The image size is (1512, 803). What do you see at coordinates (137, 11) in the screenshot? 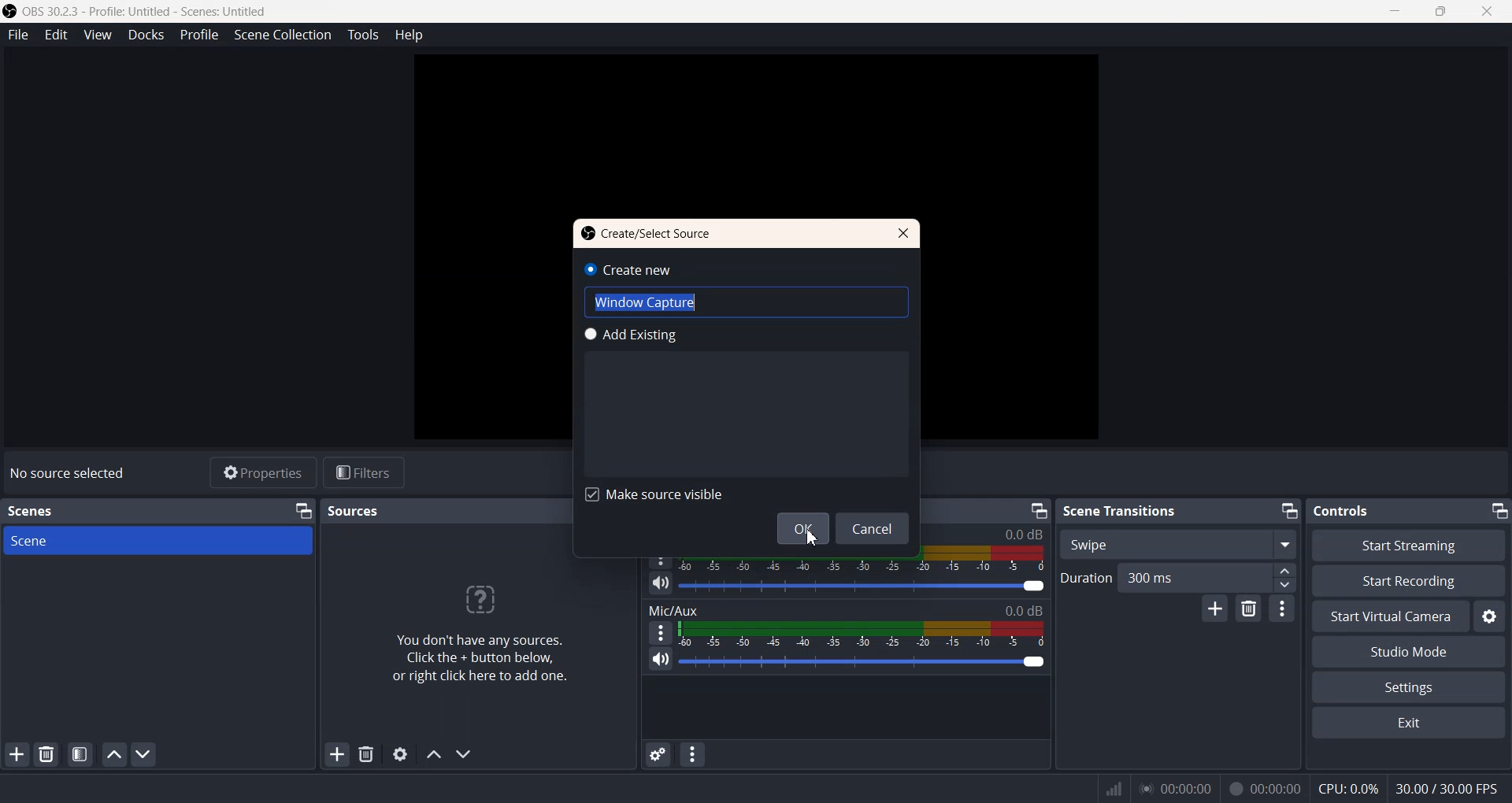
I see `‘OBS 30.2.3 - Profile: Untitled - Scenes: Untitled` at bounding box center [137, 11].